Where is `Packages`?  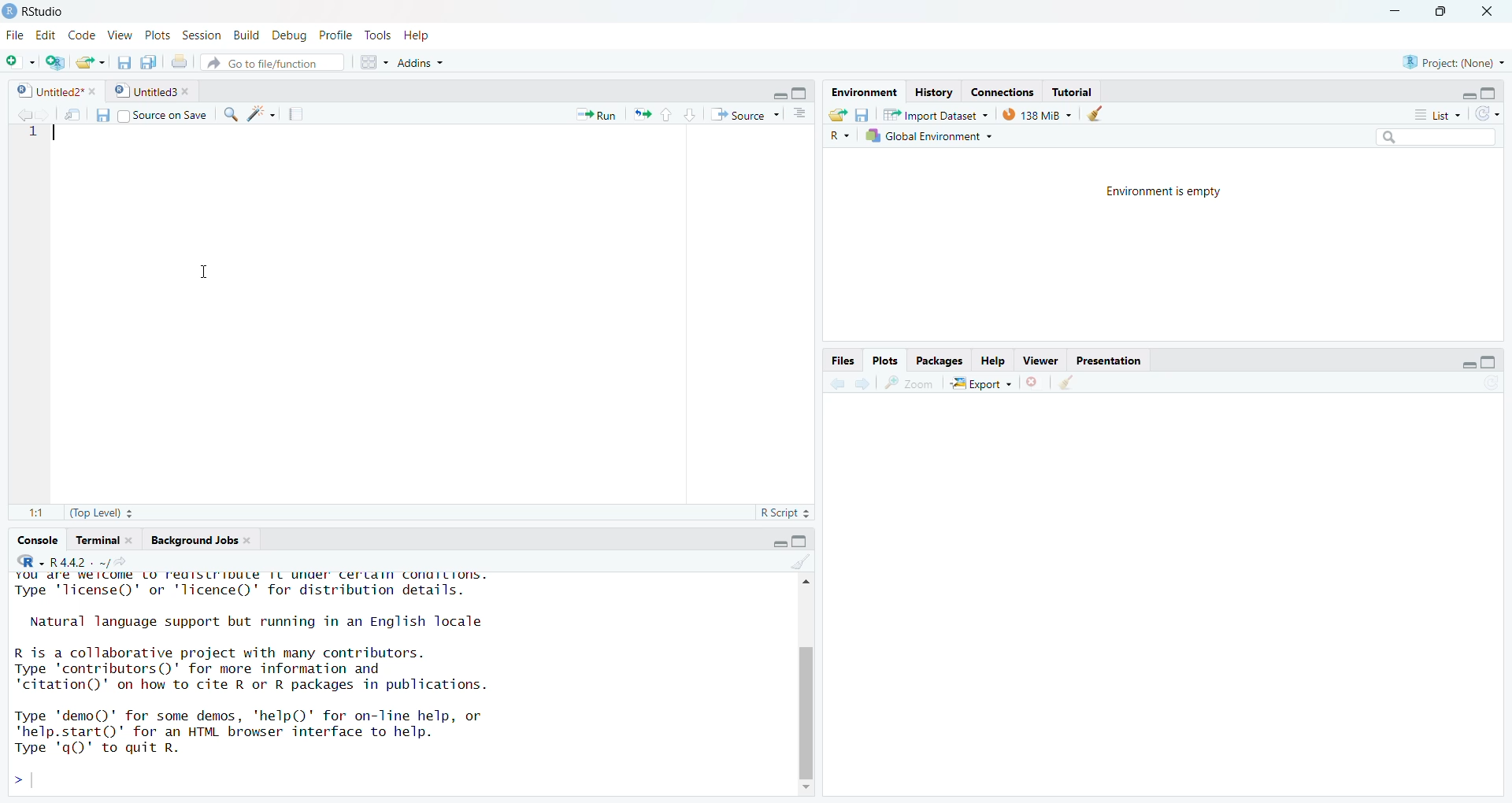 Packages is located at coordinates (942, 361).